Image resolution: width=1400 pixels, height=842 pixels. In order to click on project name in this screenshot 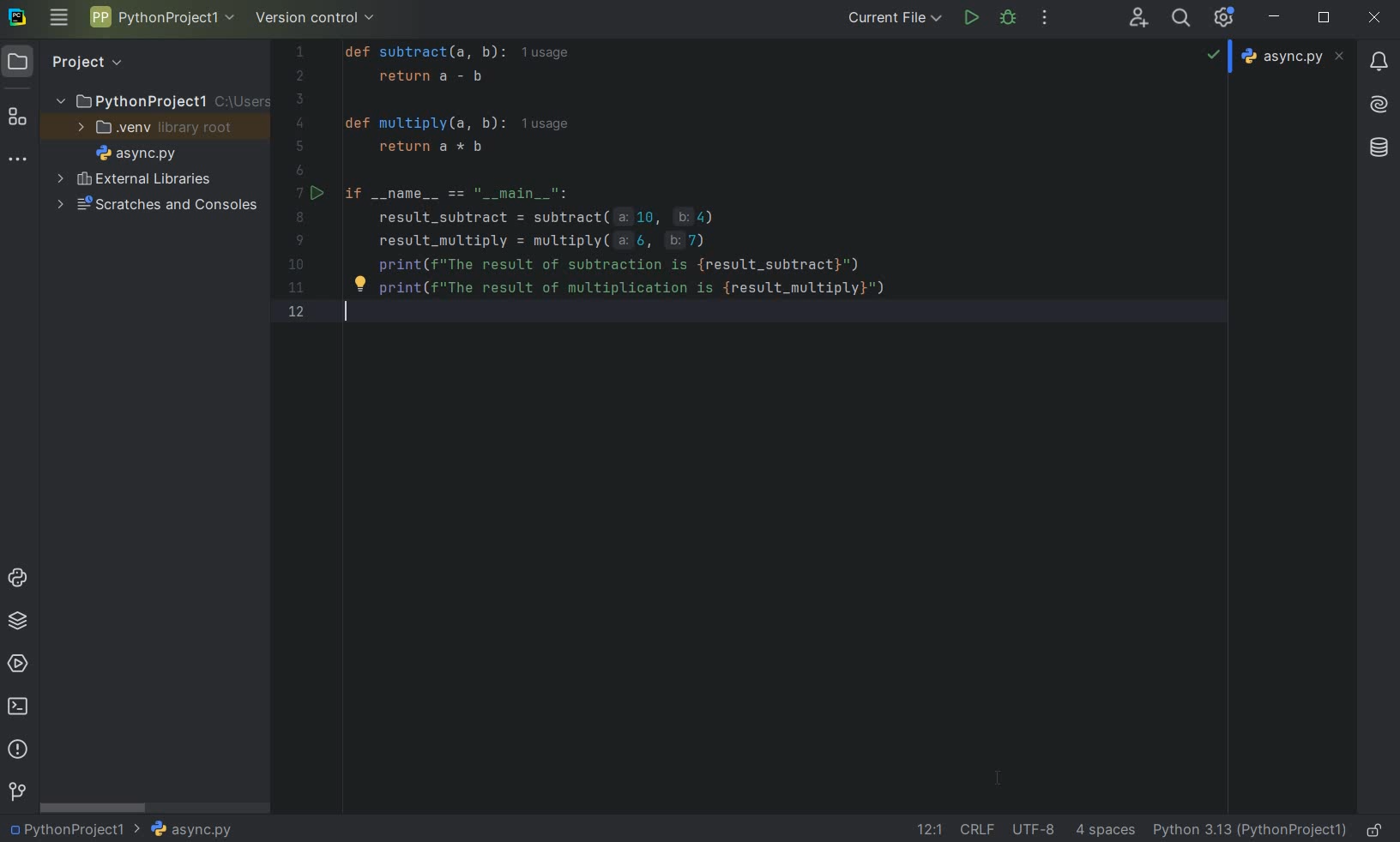, I will do `click(160, 17)`.